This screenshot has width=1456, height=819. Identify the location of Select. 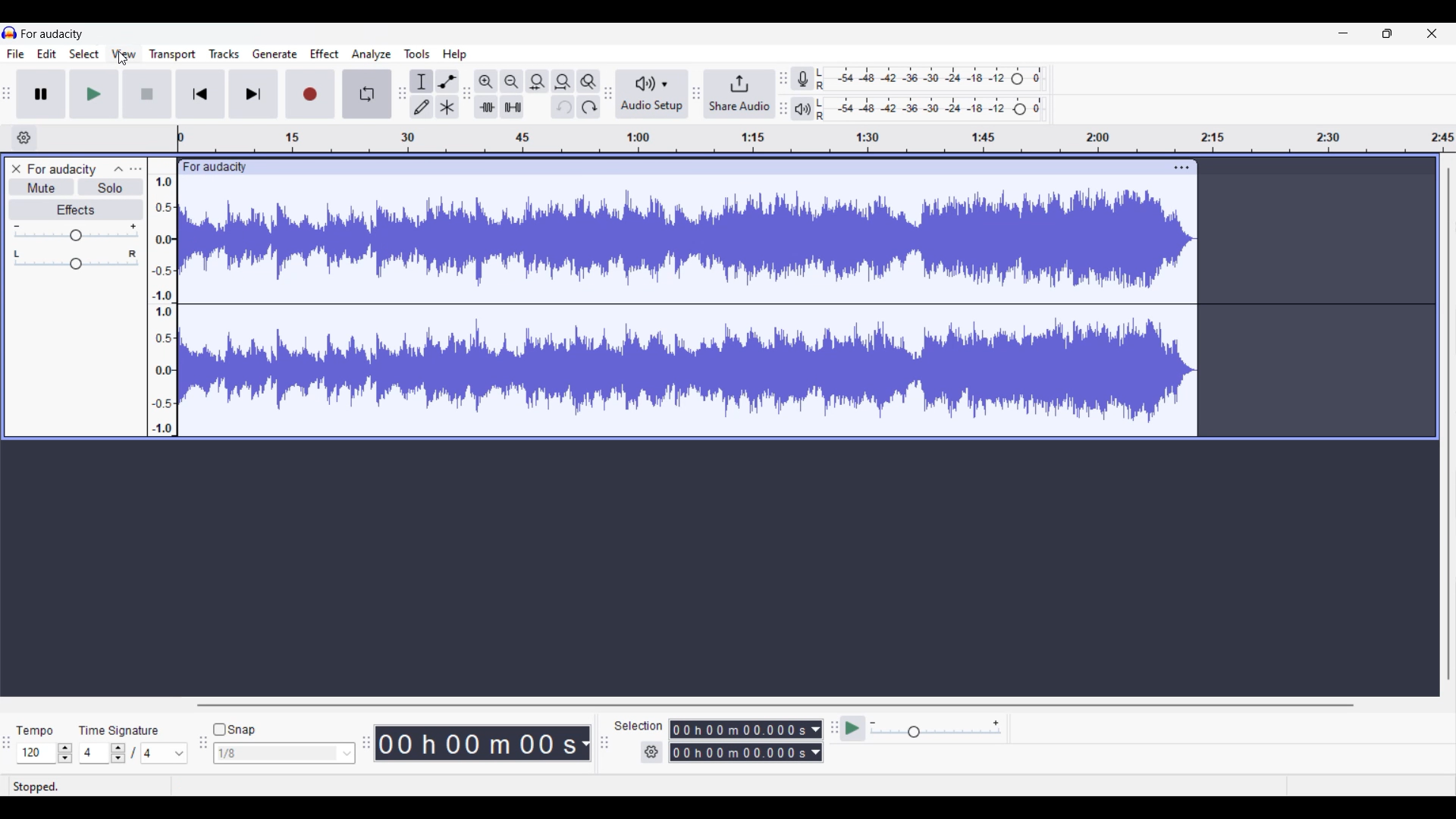
(85, 53).